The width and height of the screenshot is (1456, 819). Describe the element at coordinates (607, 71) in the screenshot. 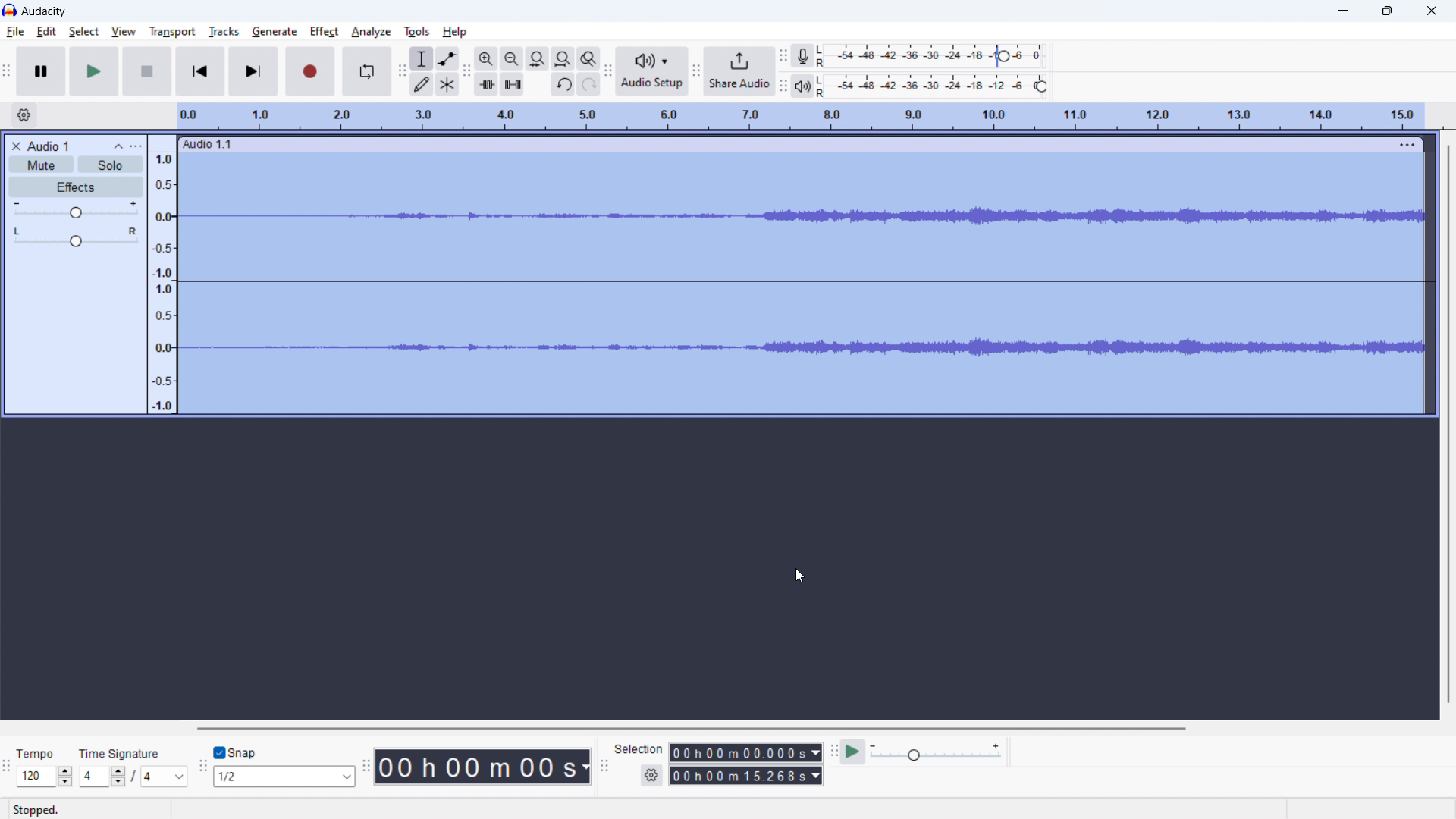

I see `audio setup toolbar` at that location.